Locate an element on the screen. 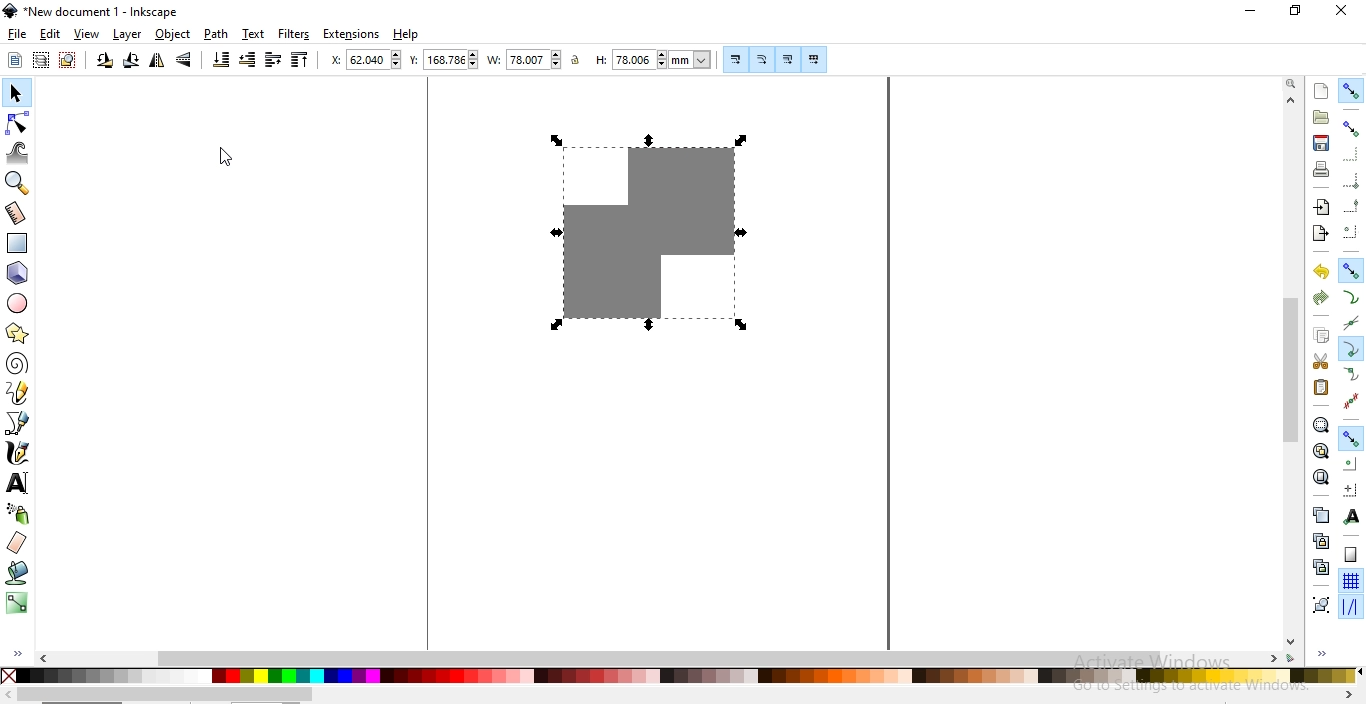 Image resolution: width=1366 pixels, height=704 pixels. create circles, arcs and ellipses is located at coordinates (18, 304).